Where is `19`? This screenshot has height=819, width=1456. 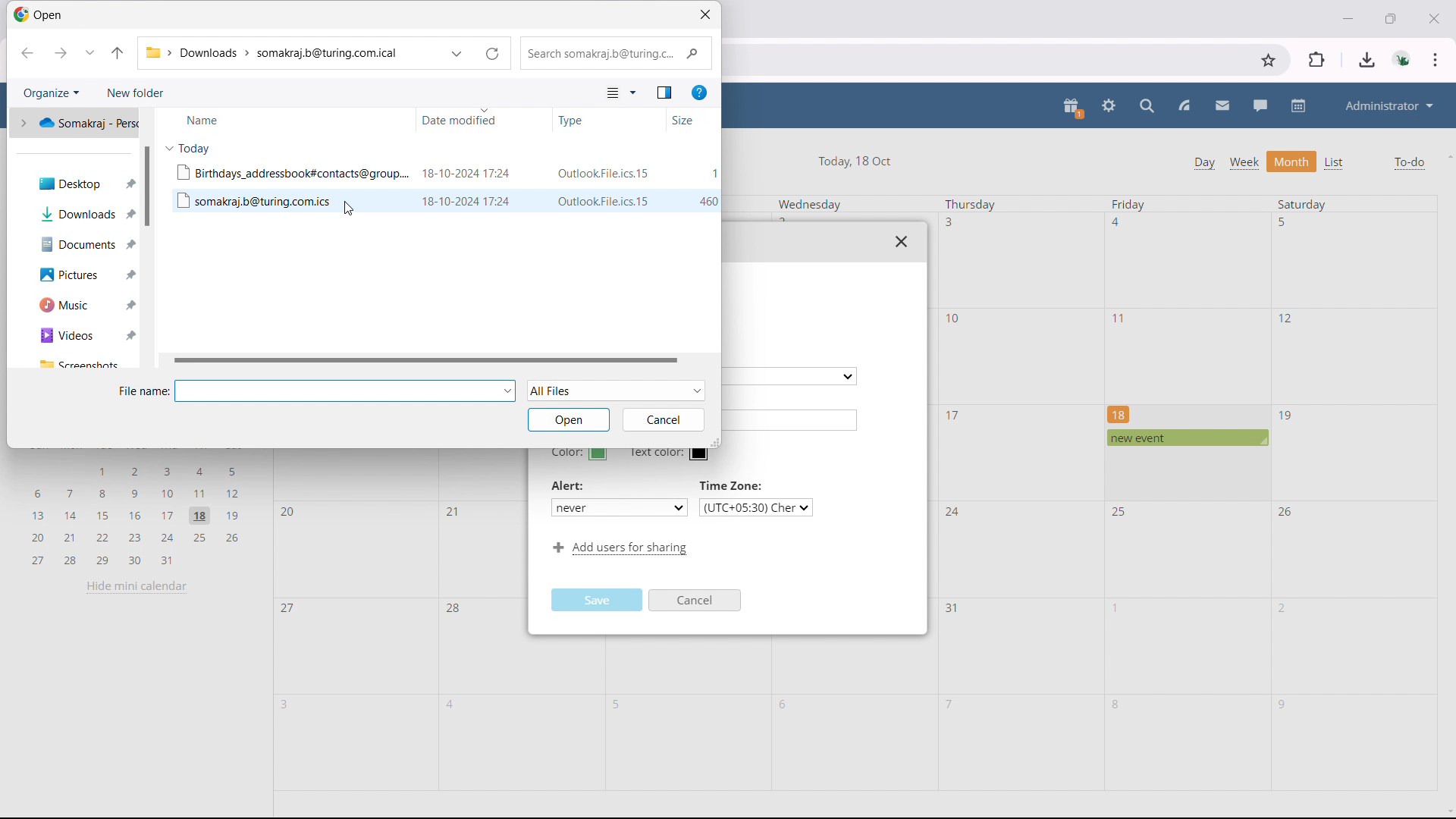 19 is located at coordinates (1287, 416).